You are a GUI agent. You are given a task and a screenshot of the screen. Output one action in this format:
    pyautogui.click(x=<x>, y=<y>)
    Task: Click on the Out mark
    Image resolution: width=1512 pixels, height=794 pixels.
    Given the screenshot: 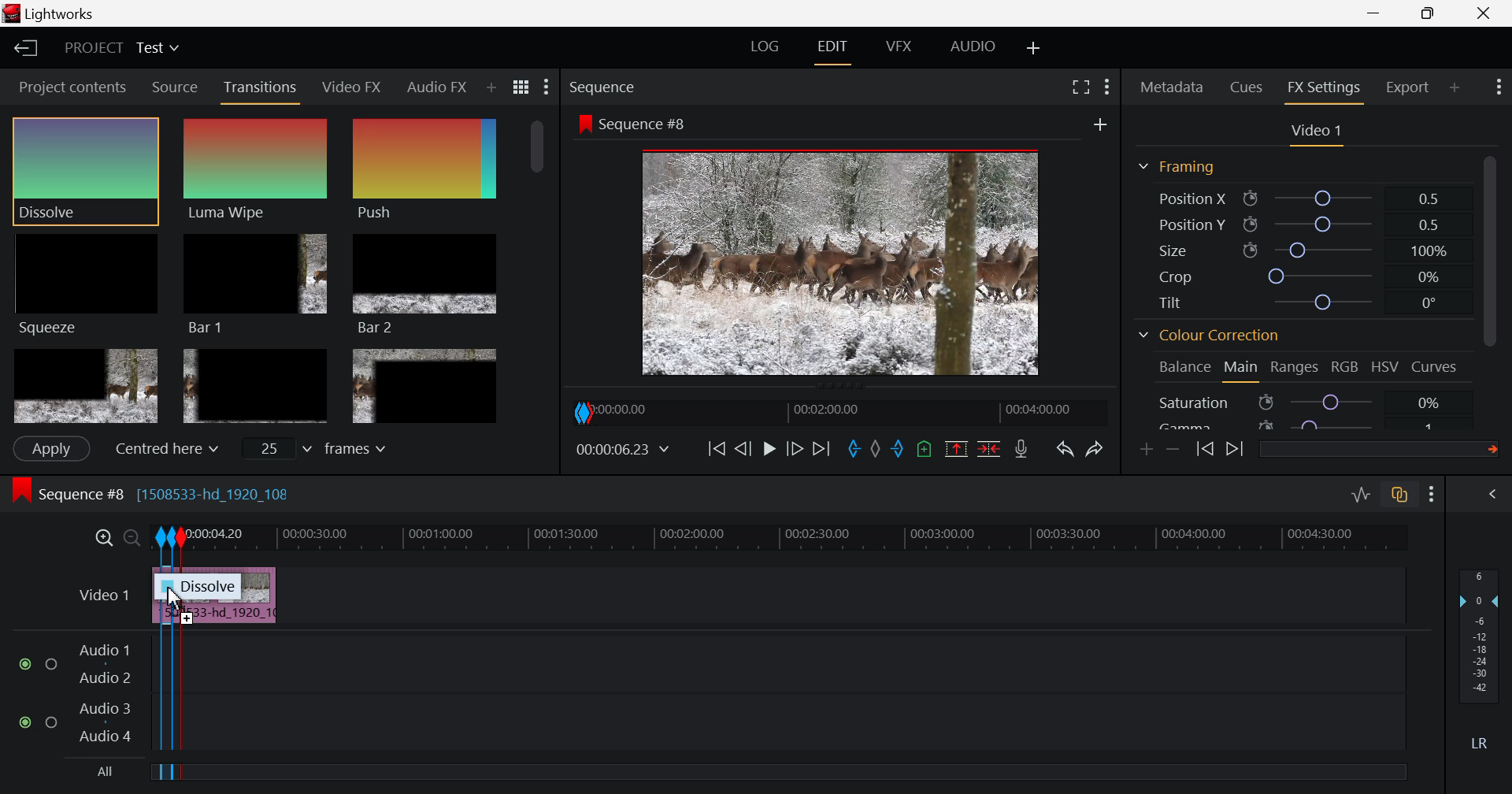 What is the action you would take?
    pyautogui.click(x=898, y=450)
    